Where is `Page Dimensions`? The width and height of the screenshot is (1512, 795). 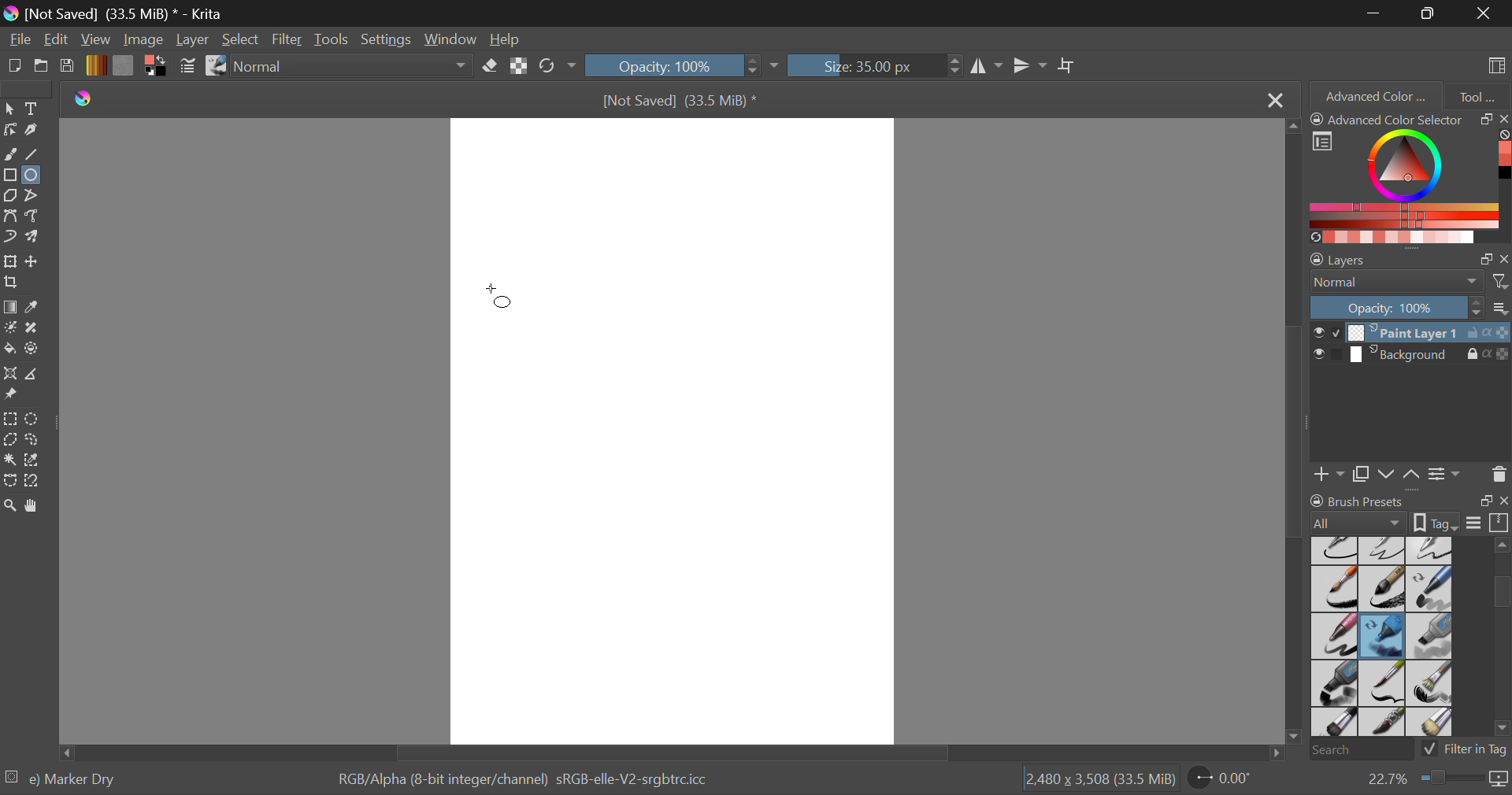 Page Dimensions is located at coordinates (1104, 779).